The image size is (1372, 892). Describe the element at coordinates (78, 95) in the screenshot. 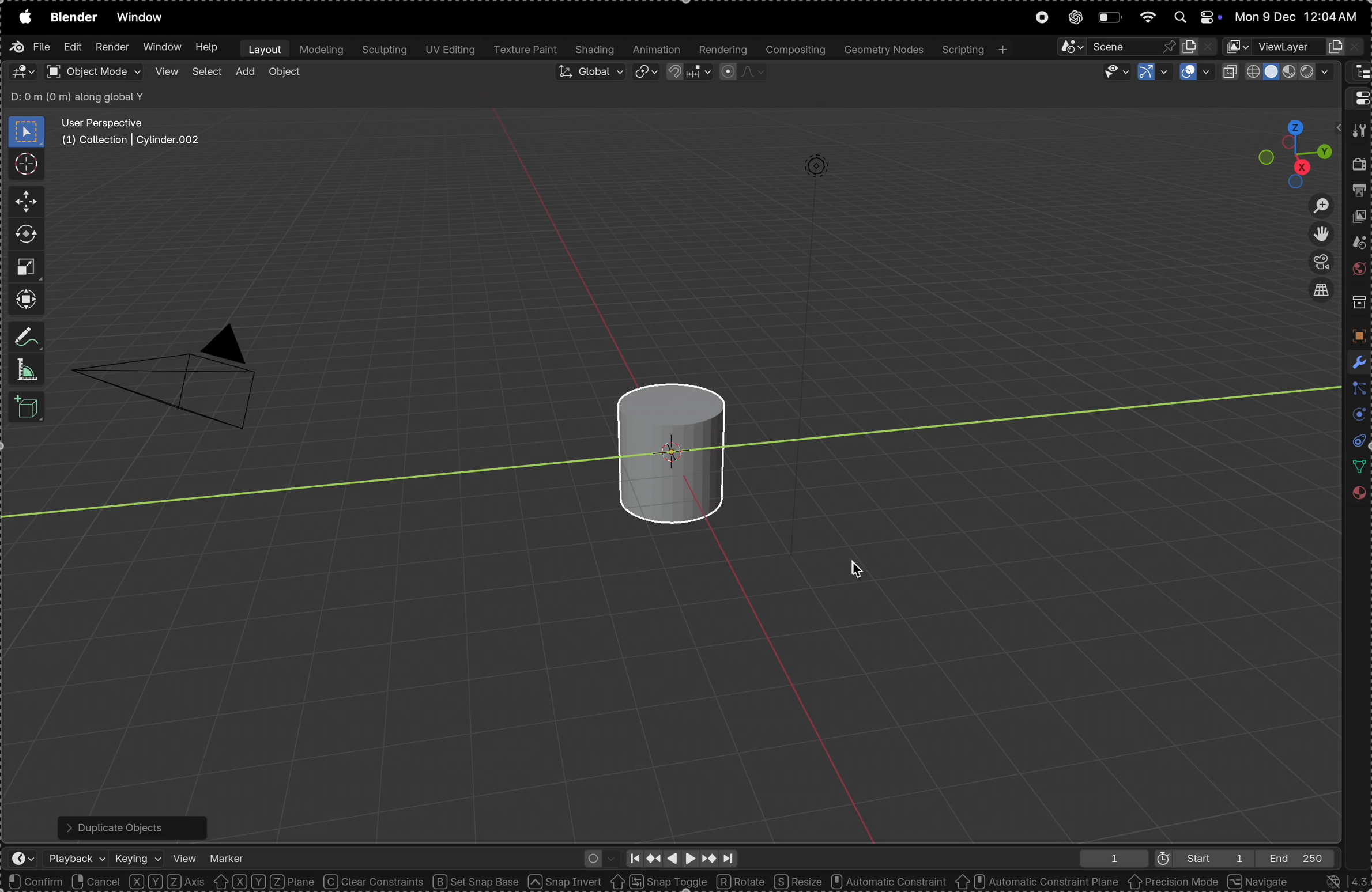

I see `modes` at that location.